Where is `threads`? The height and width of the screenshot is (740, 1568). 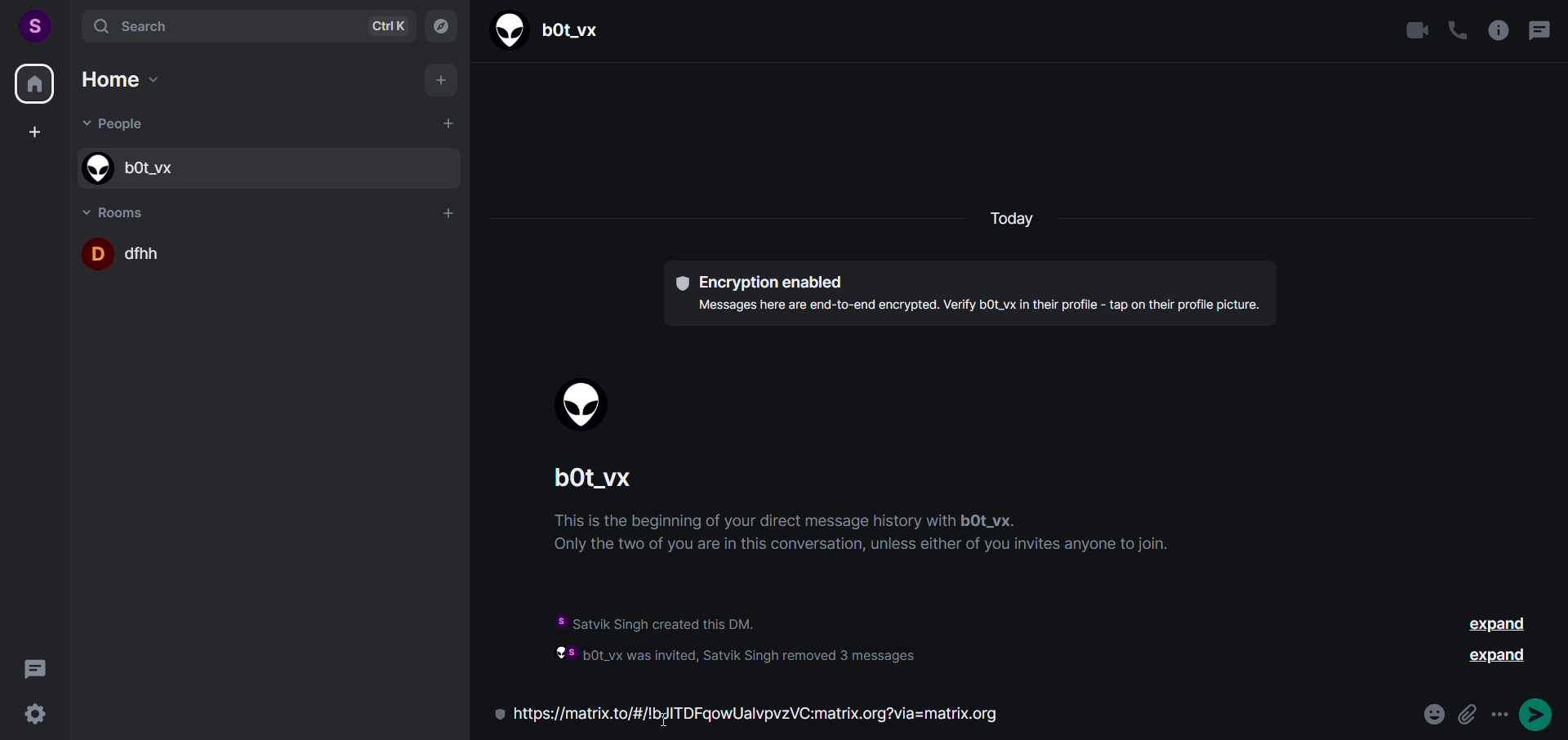 threads is located at coordinates (1538, 33).